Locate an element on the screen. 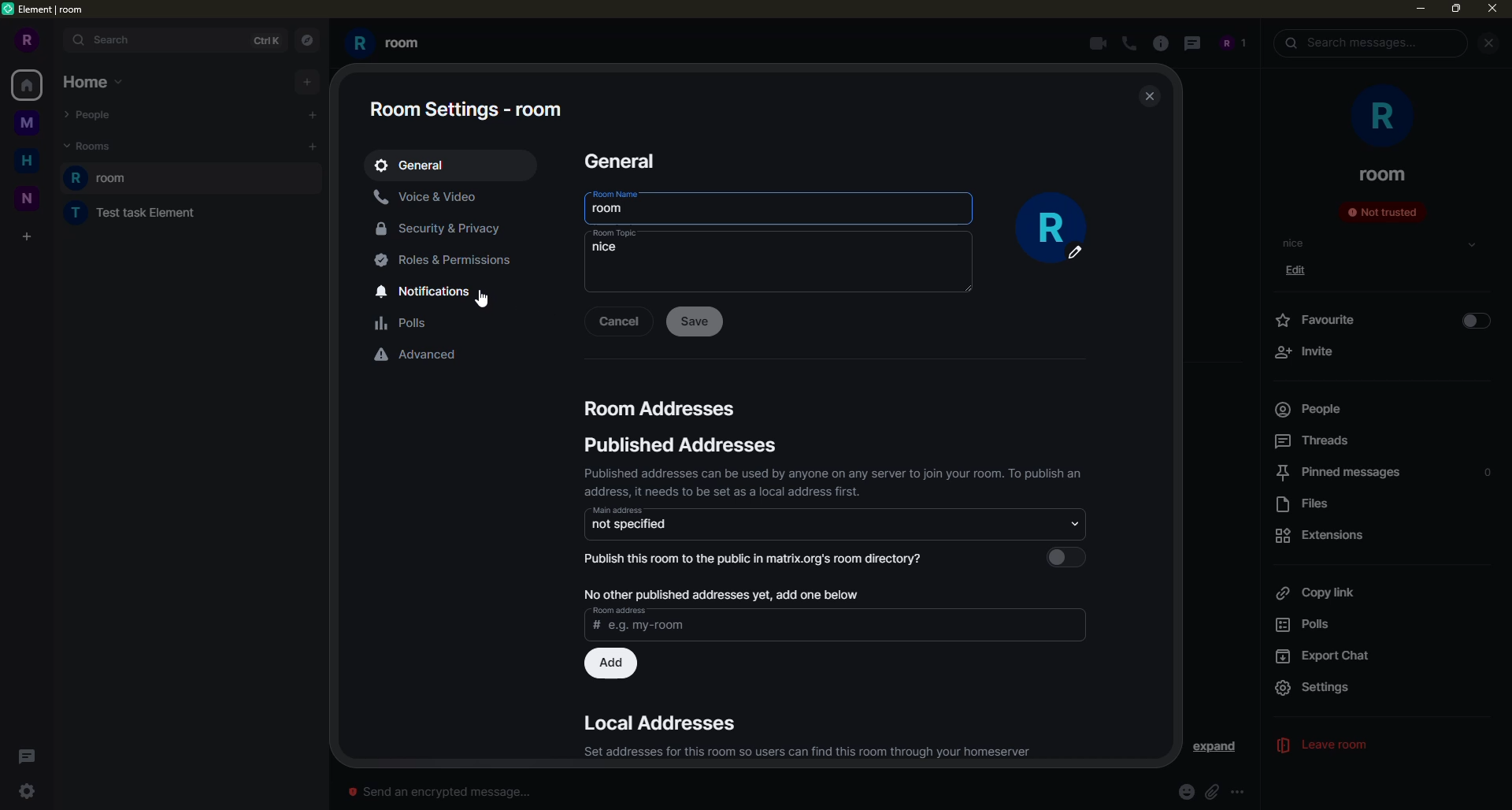  drop down is located at coordinates (1076, 523).